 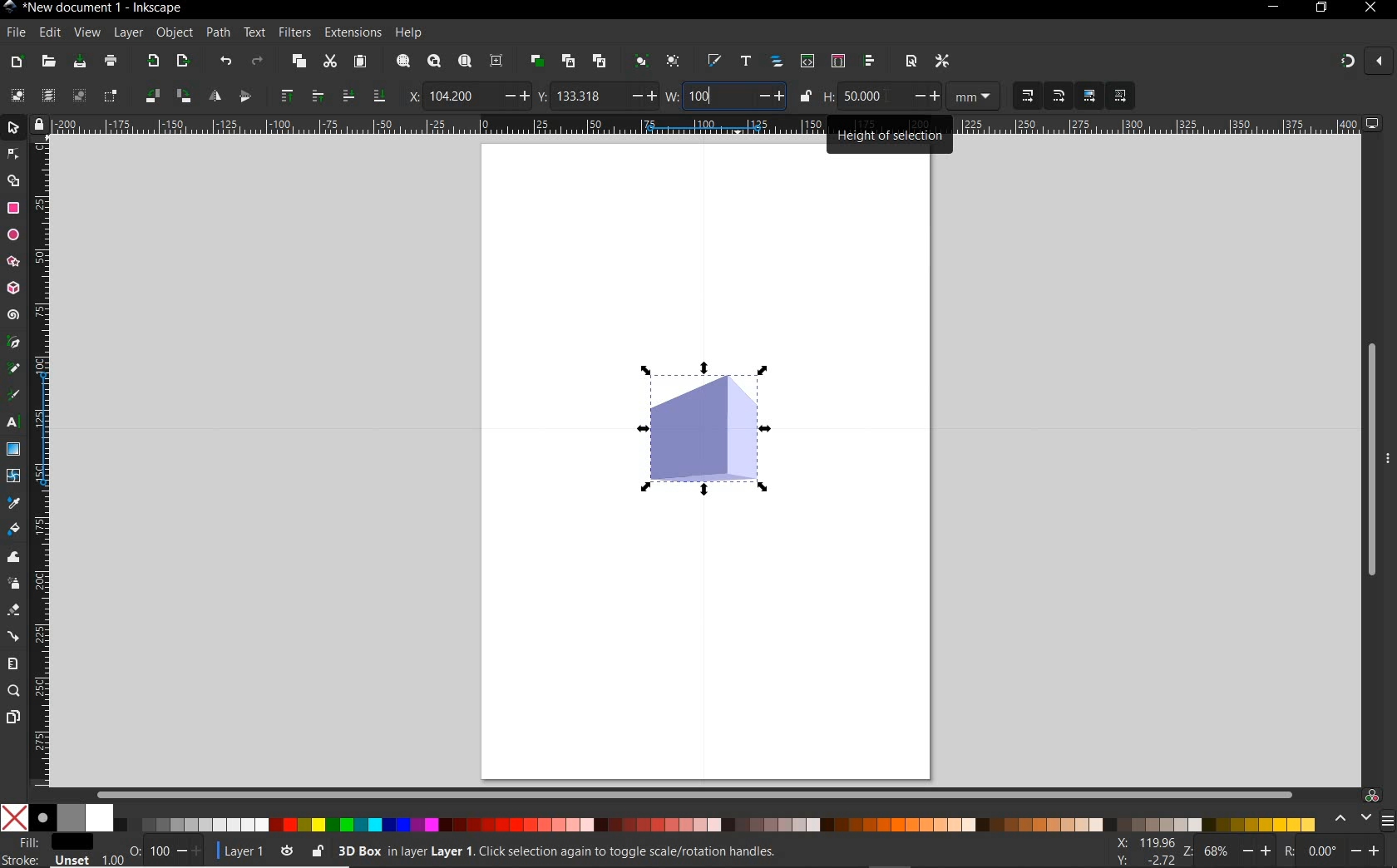 What do you see at coordinates (675, 62) in the screenshot?
I see `ungroup` at bounding box center [675, 62].